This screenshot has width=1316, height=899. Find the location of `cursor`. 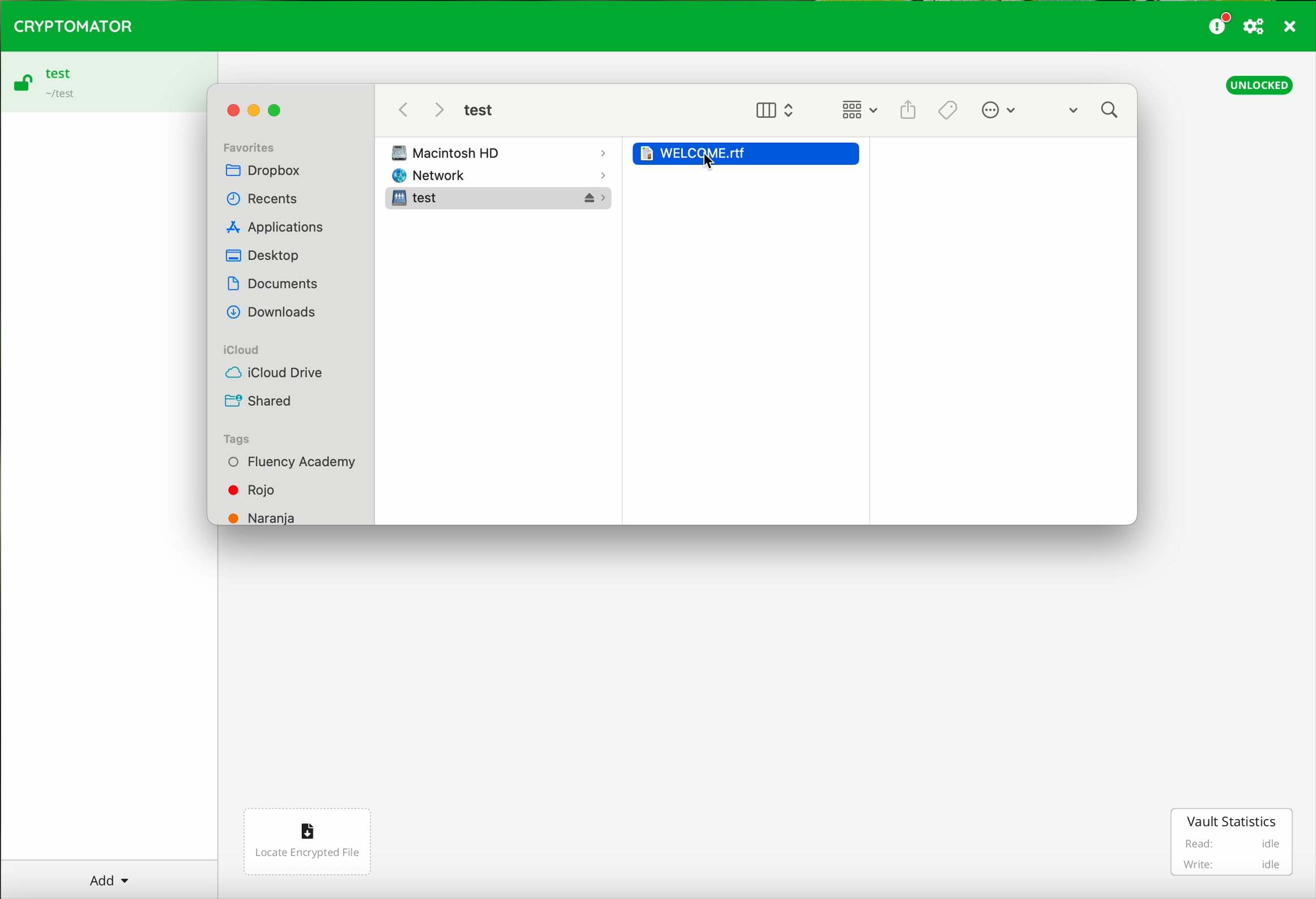

cursor is located at coordinates (715, 167).